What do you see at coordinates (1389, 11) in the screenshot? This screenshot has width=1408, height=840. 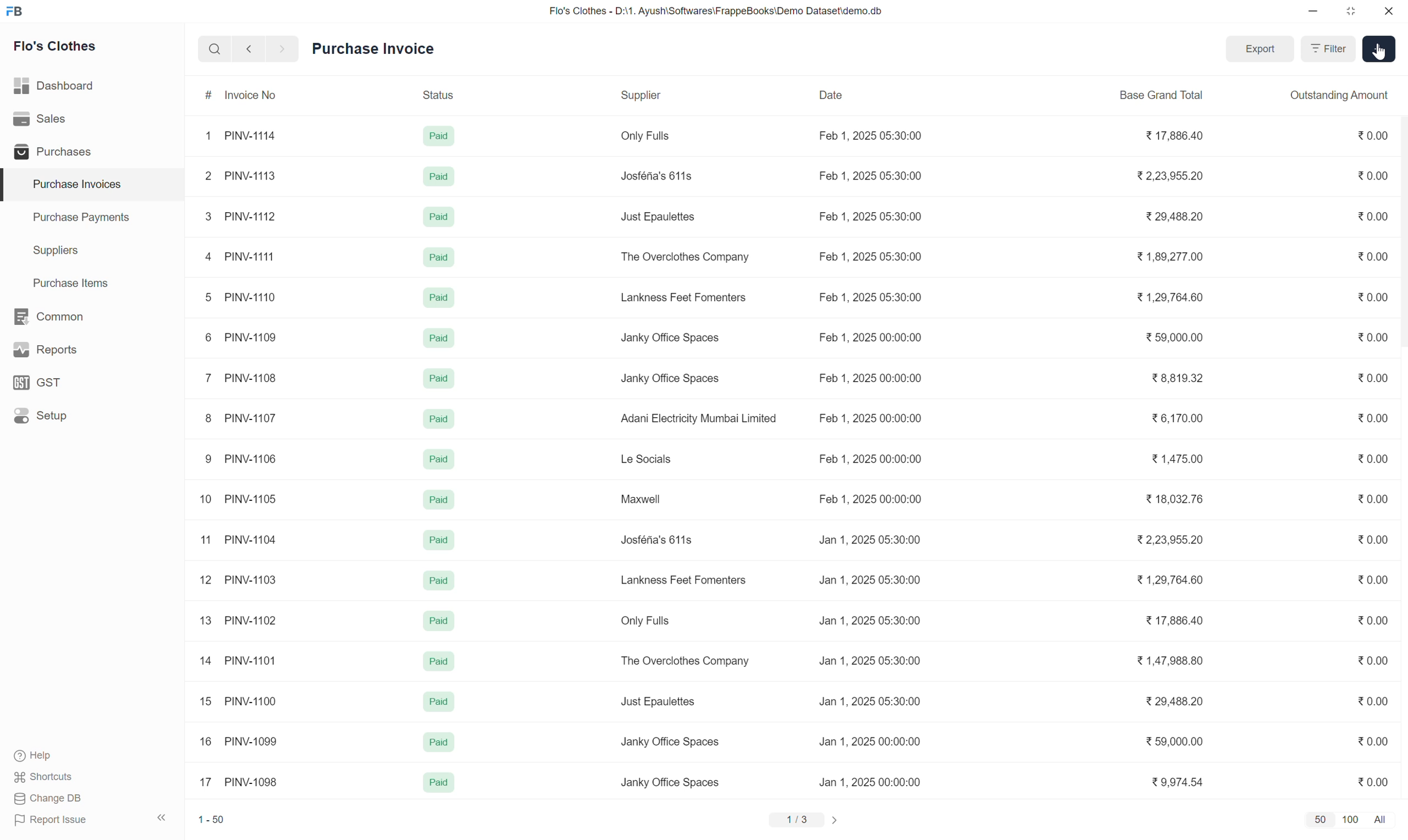 I see `Close` at bounding box center [1389, 11].